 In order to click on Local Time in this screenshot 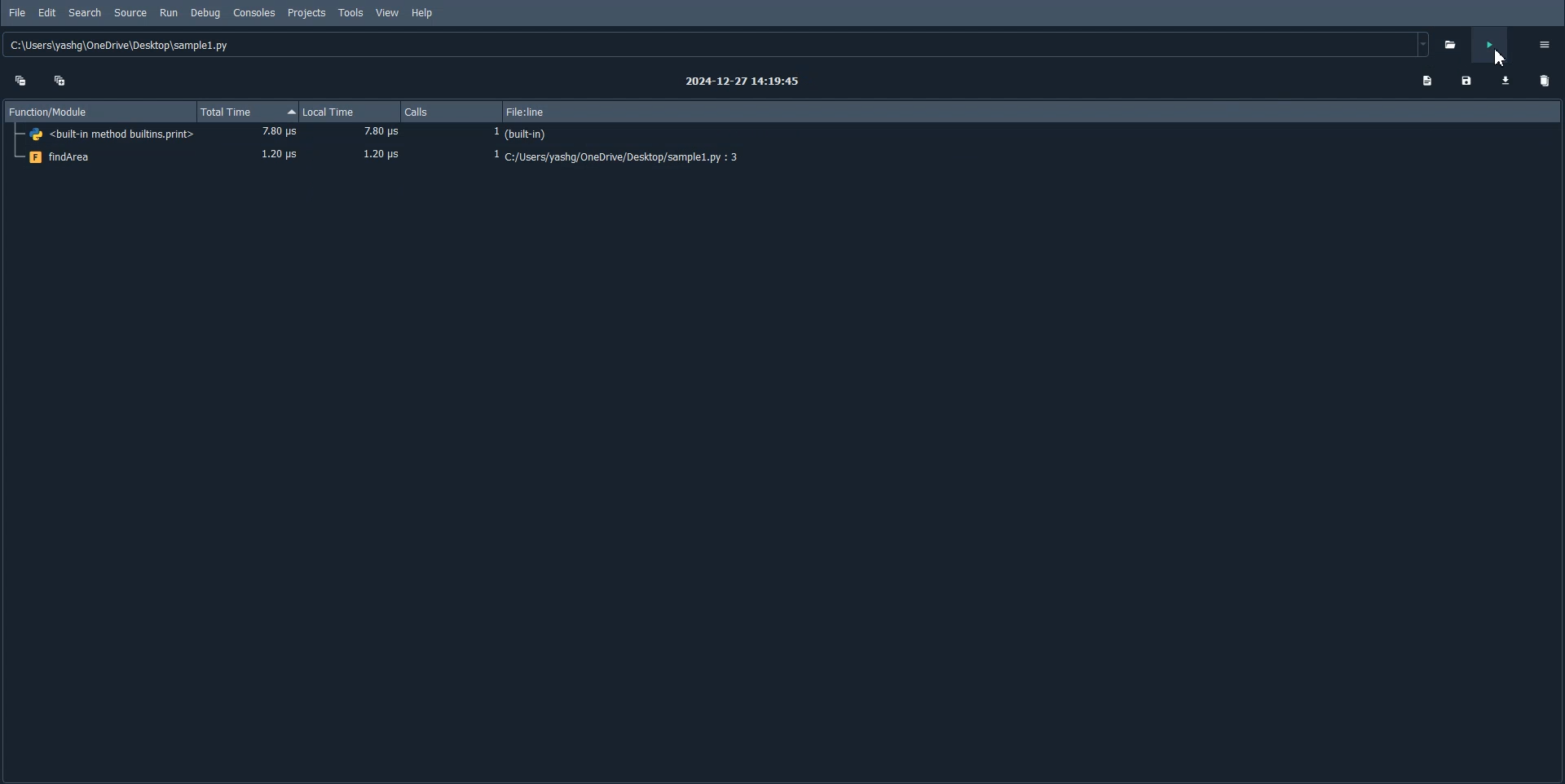, I will do `click(350, 112)`.